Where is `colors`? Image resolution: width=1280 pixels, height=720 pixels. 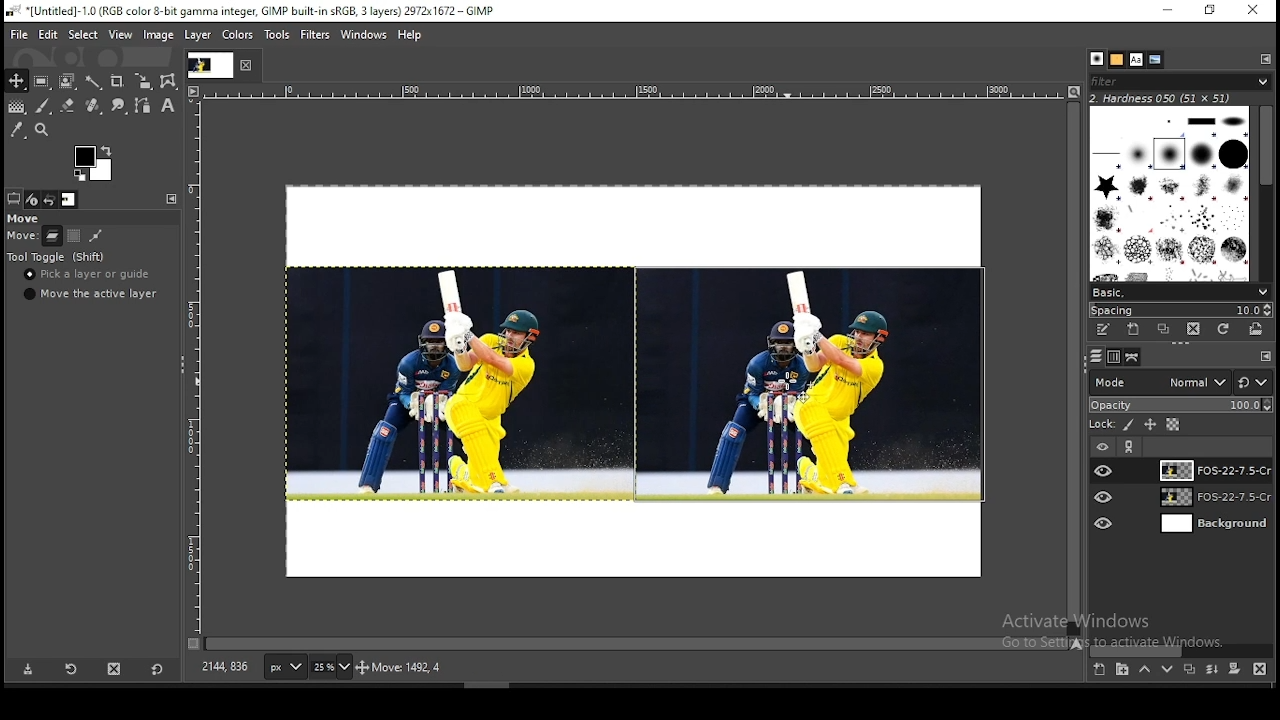
colors is located at coordinates (93, 163).